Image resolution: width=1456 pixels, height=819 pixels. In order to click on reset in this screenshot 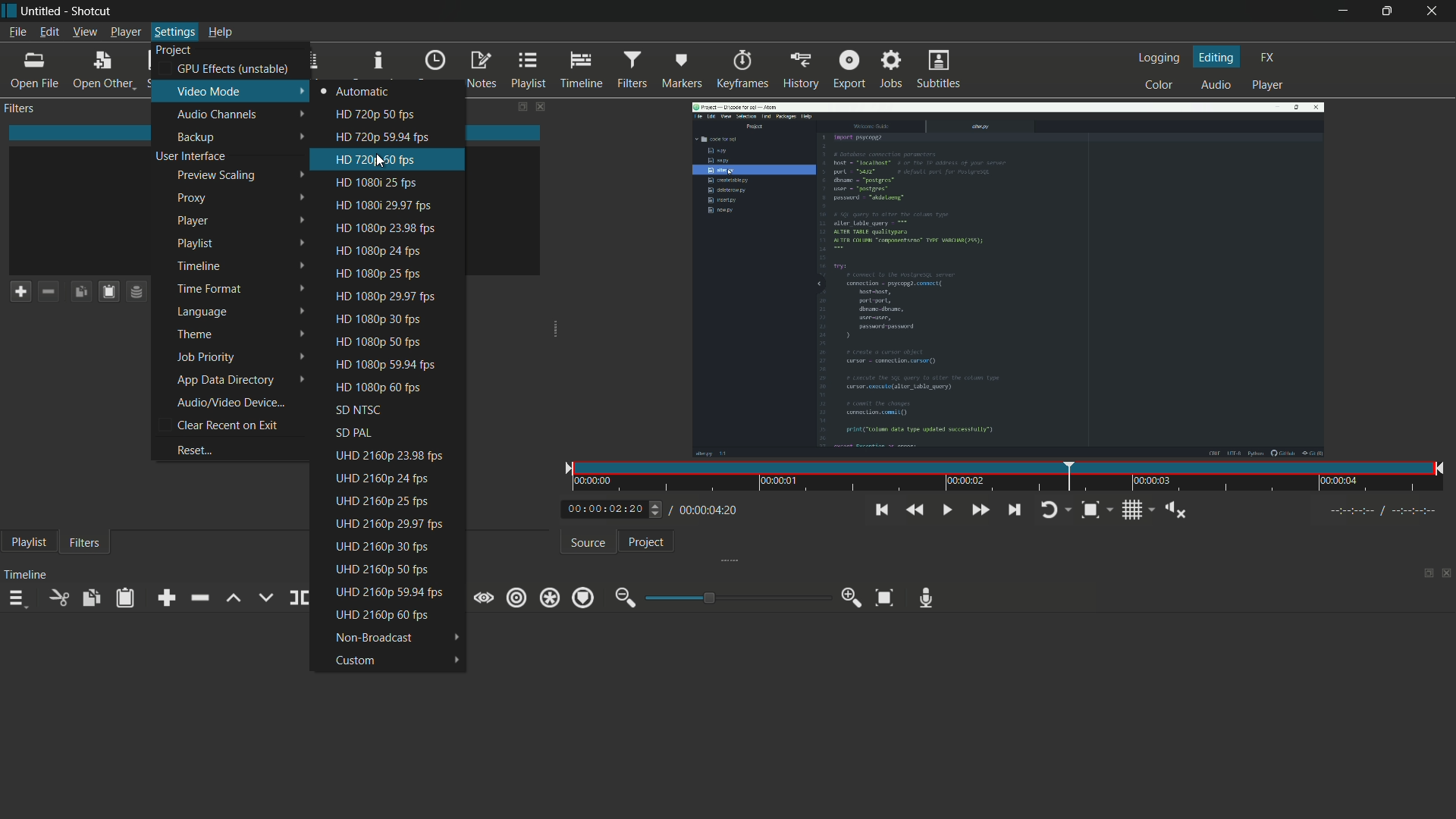, I will do `click(234, 451)`.